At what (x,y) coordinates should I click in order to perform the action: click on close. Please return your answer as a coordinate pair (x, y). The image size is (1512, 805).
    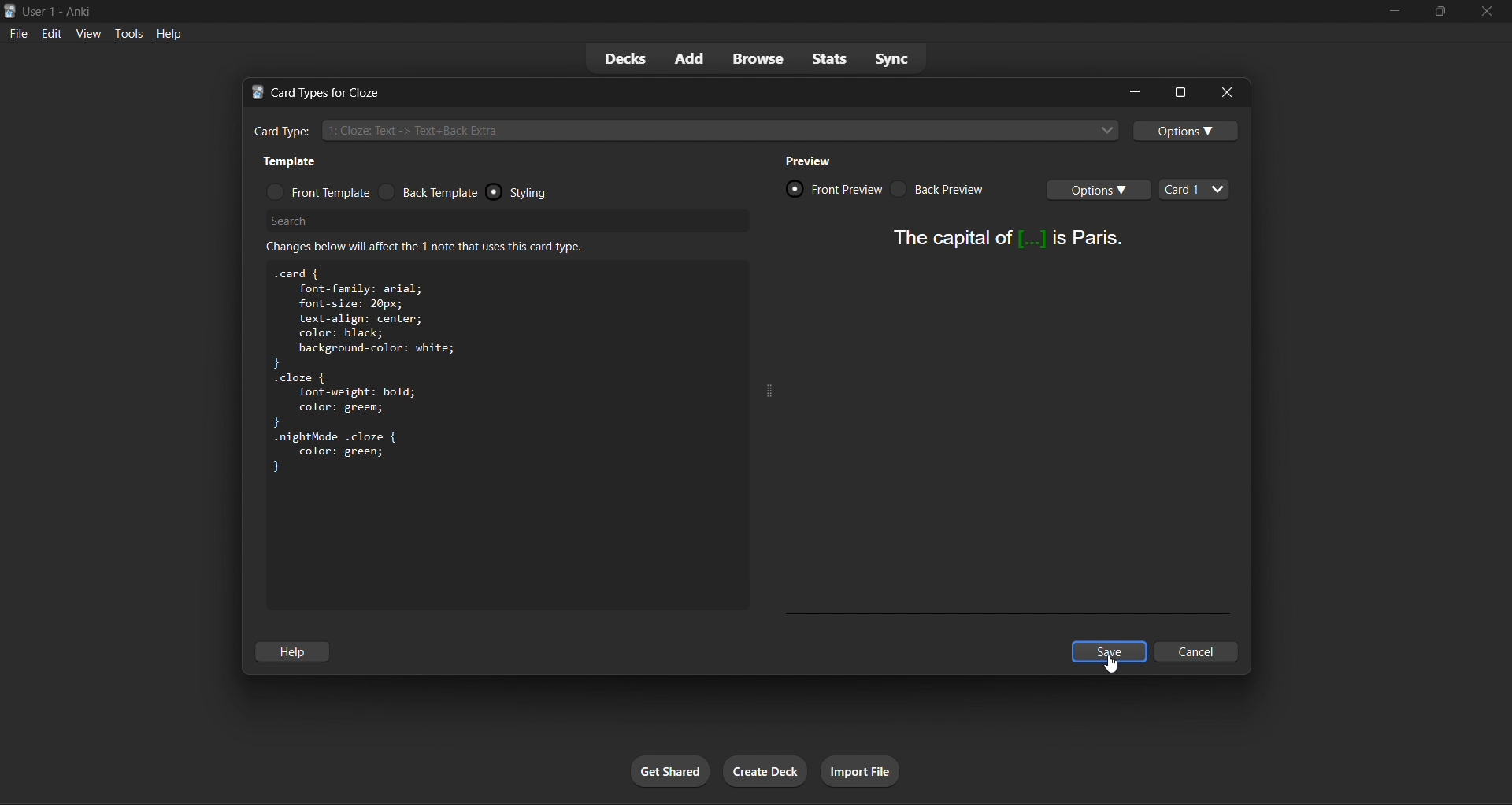
    Looking at the image, I should click on (1220, 92).